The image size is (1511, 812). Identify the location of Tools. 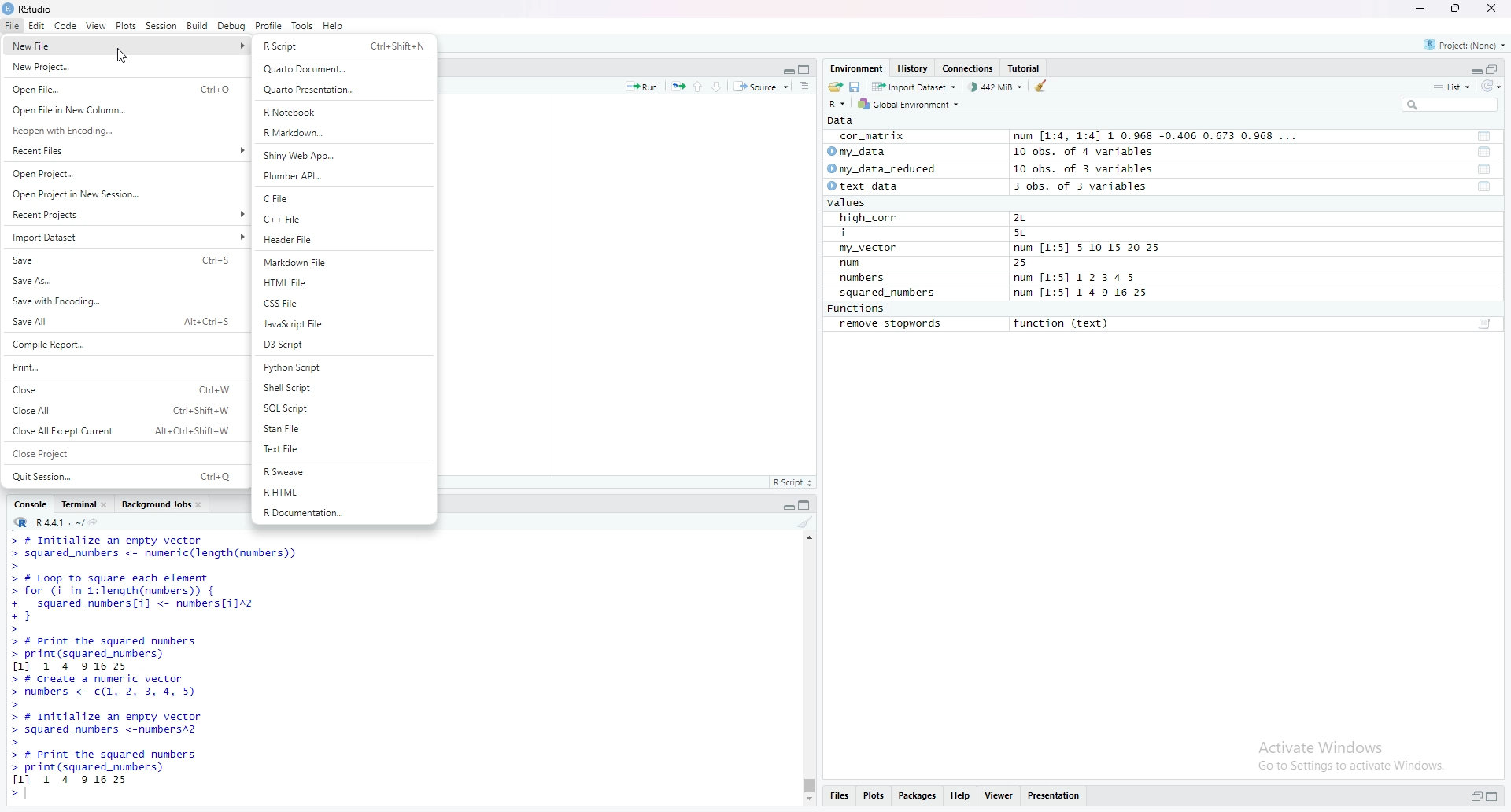
(301, 25).